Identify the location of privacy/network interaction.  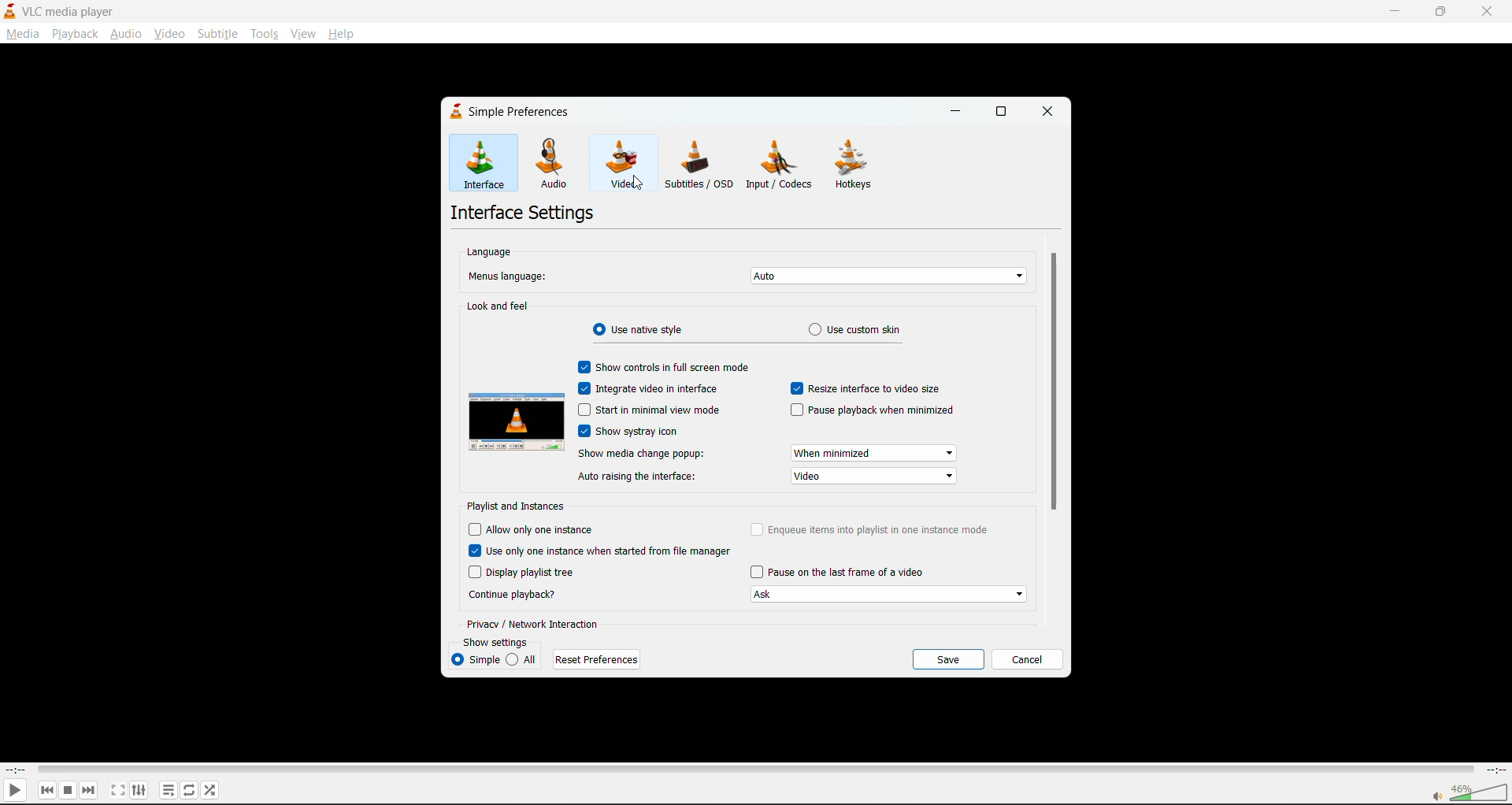
(539, 623).